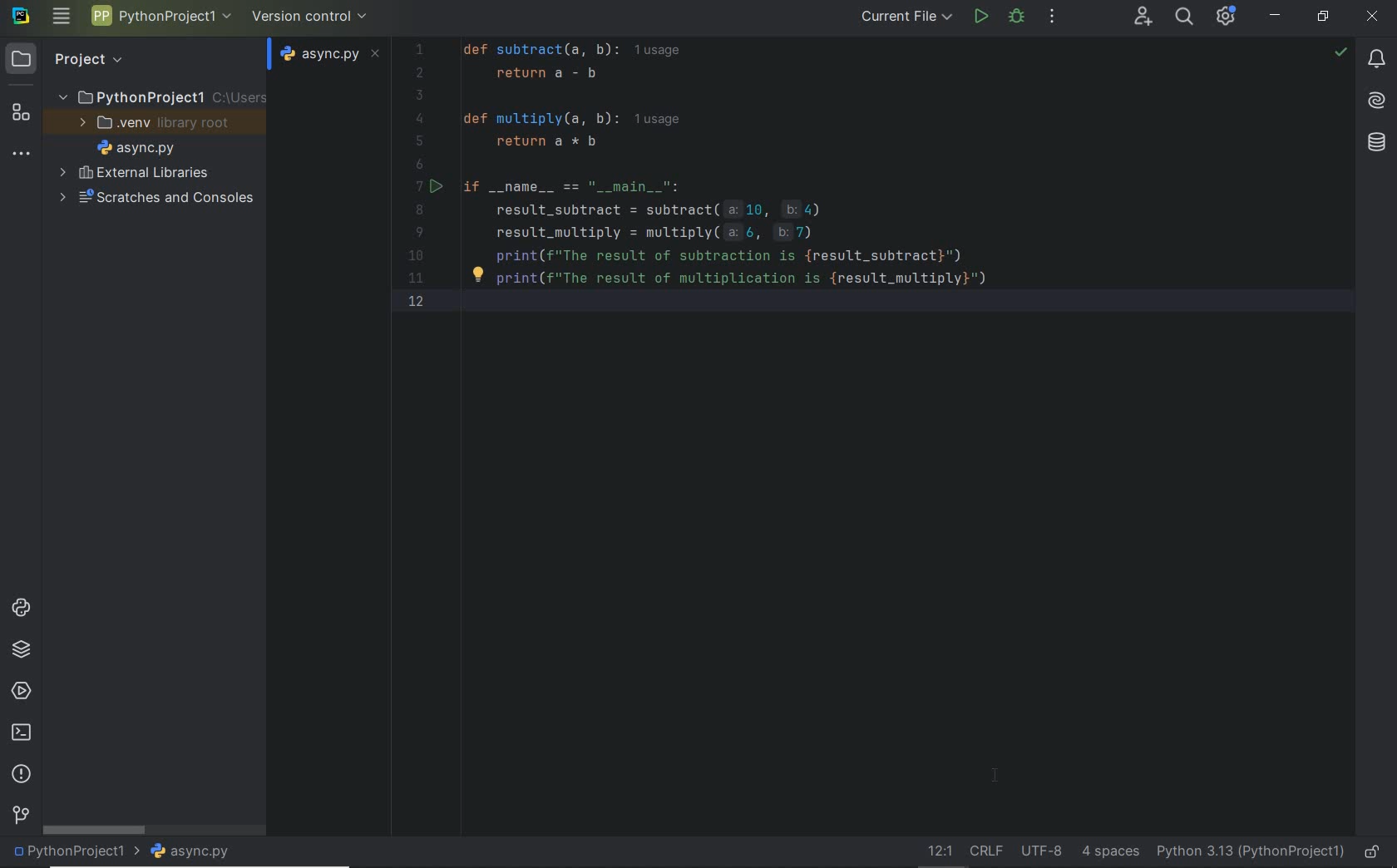 This screenshot has height=868, width=1397. Describe the element at coordinates (21, 19) in the screenshot. I see `system name` at that location.